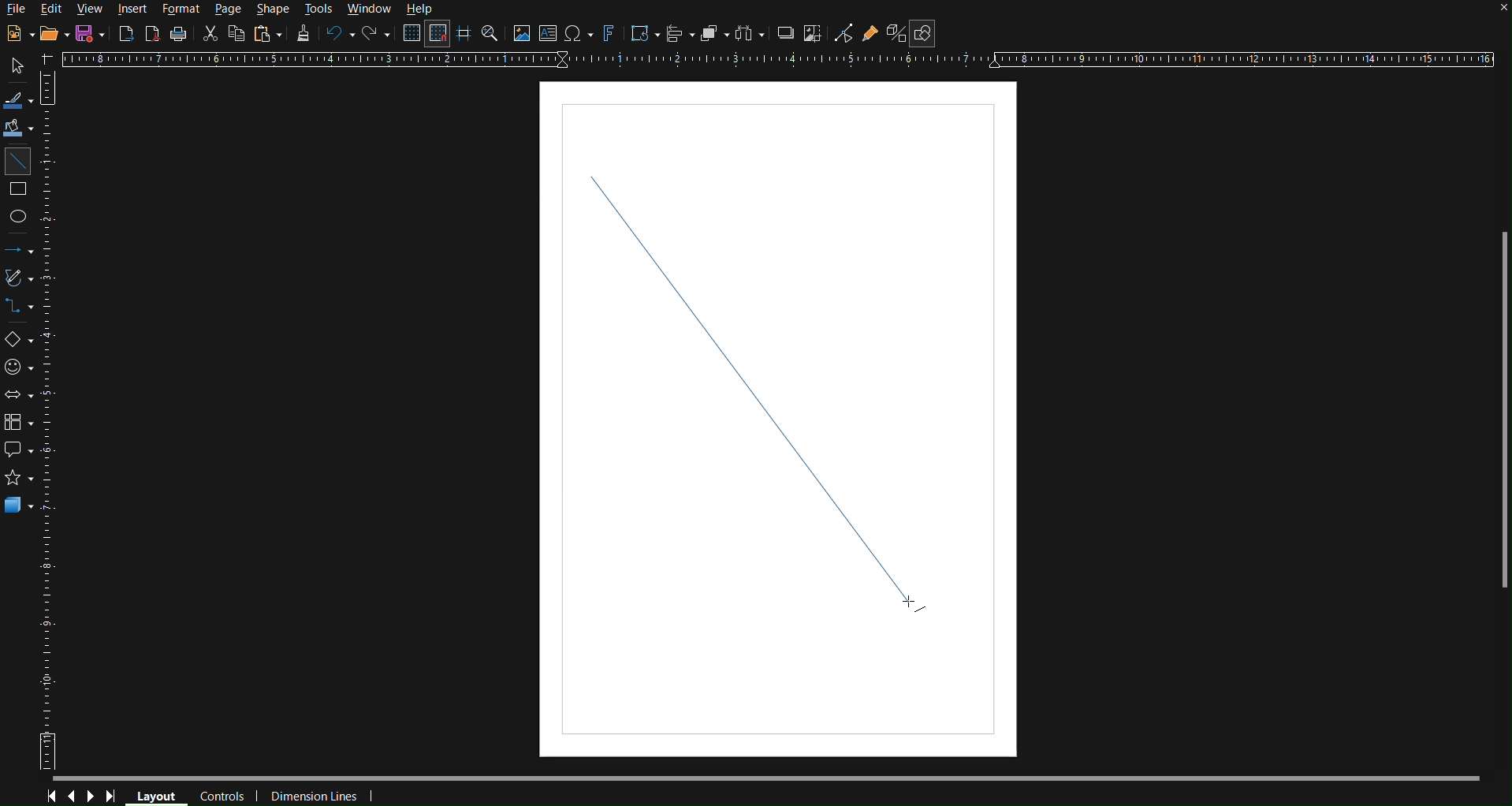 This screenshot has height=806, width=1512. What do you see at coordinates (520, 34) in the screenshot?
I see `Insert image` at bounding box center [520, 34].